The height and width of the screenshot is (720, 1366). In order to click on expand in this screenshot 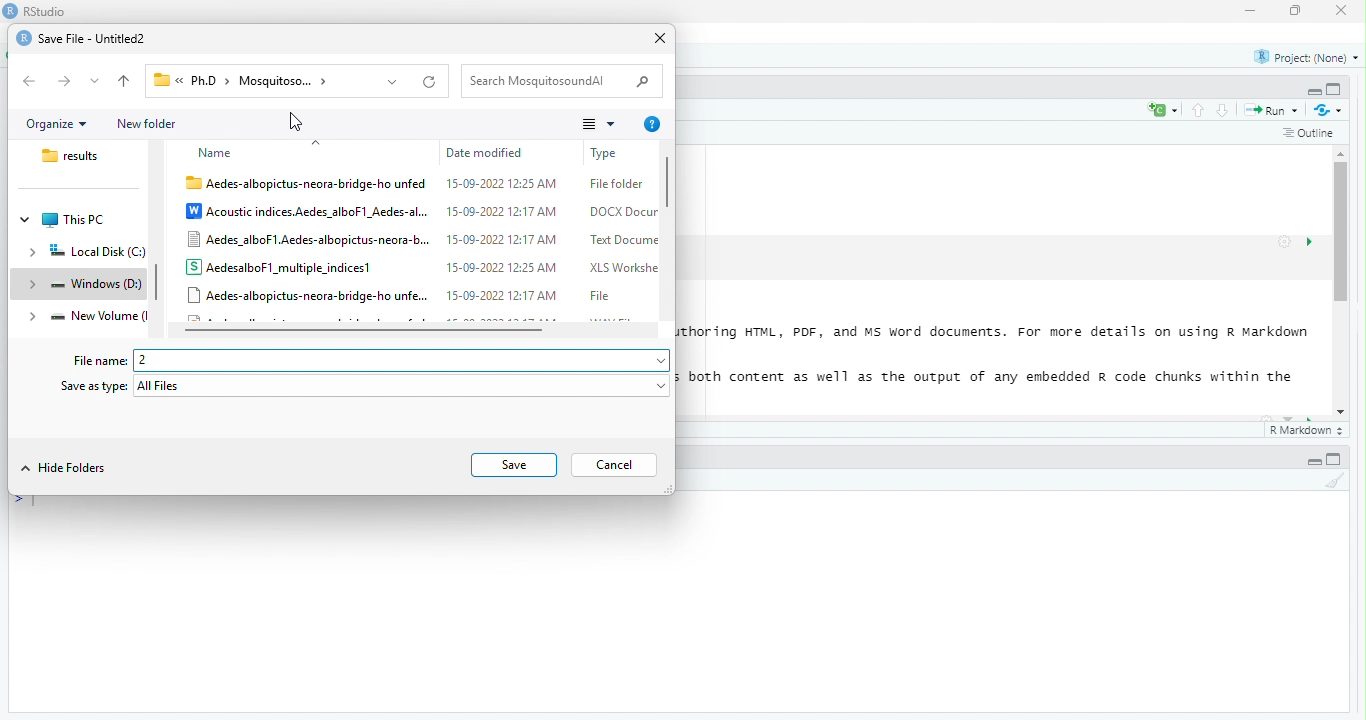, I will do `click(33, 285)`.